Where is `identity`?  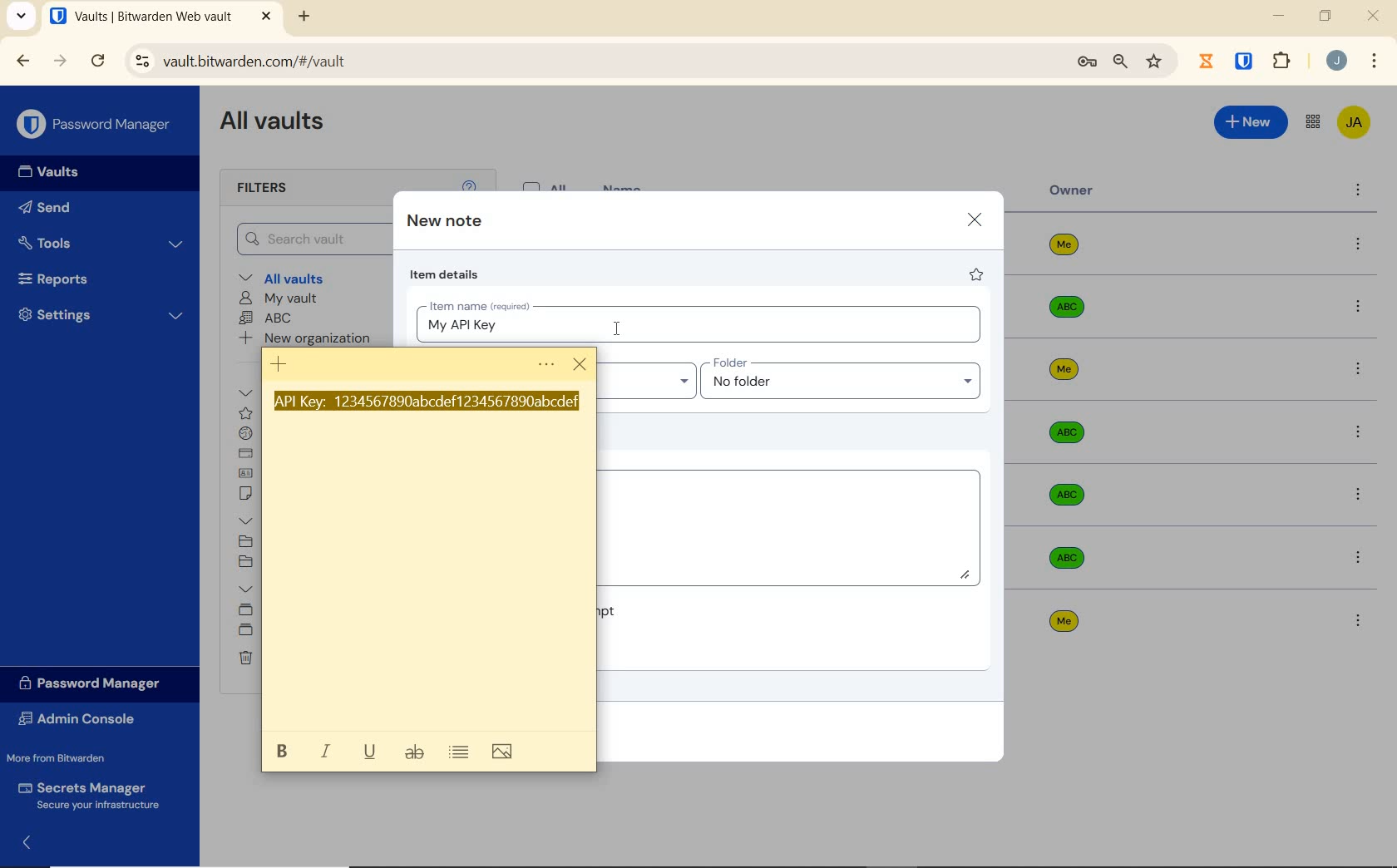 identity is located at coordinates (248, 474).